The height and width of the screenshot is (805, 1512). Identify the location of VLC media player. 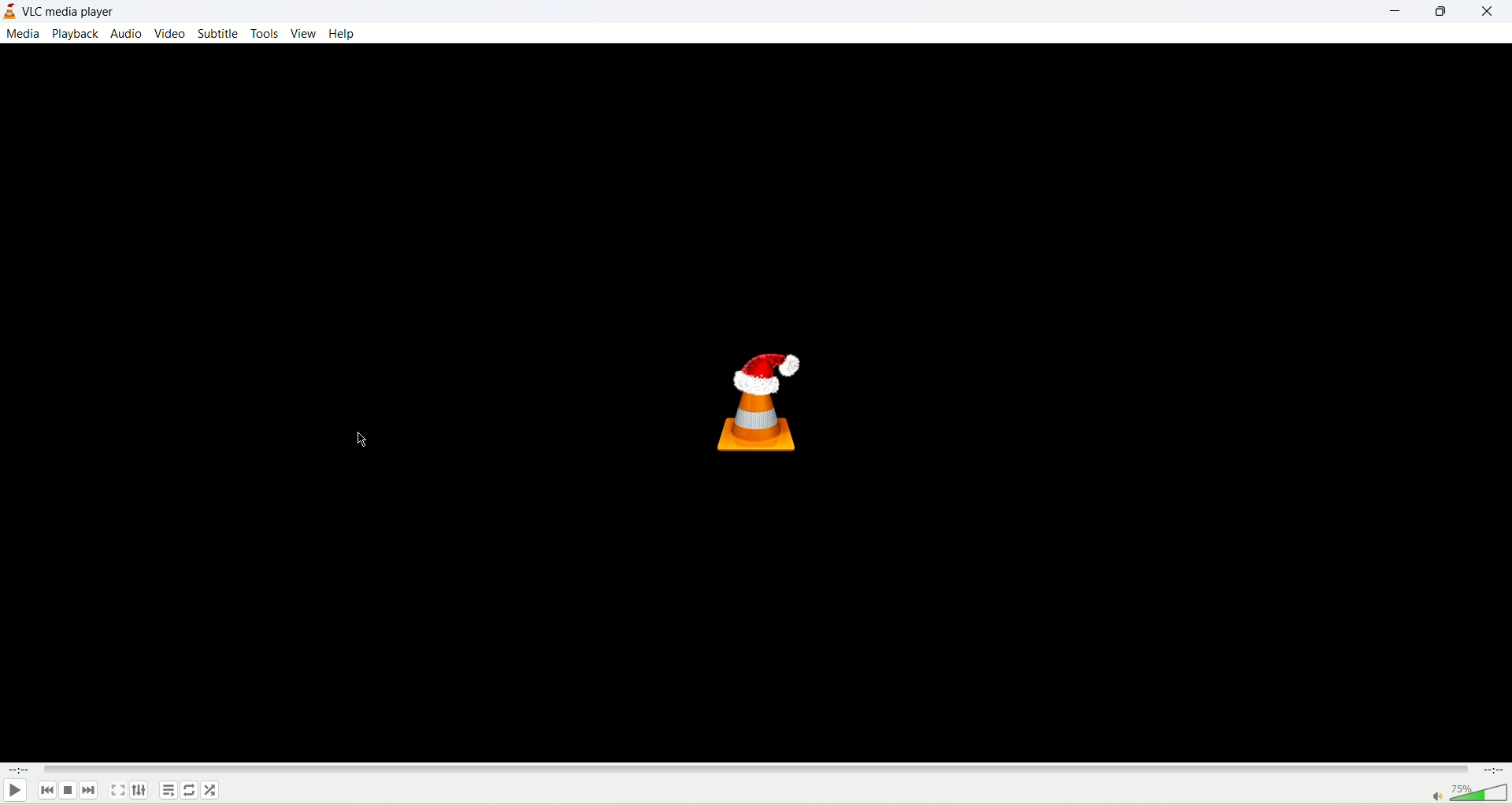
(67, 11).